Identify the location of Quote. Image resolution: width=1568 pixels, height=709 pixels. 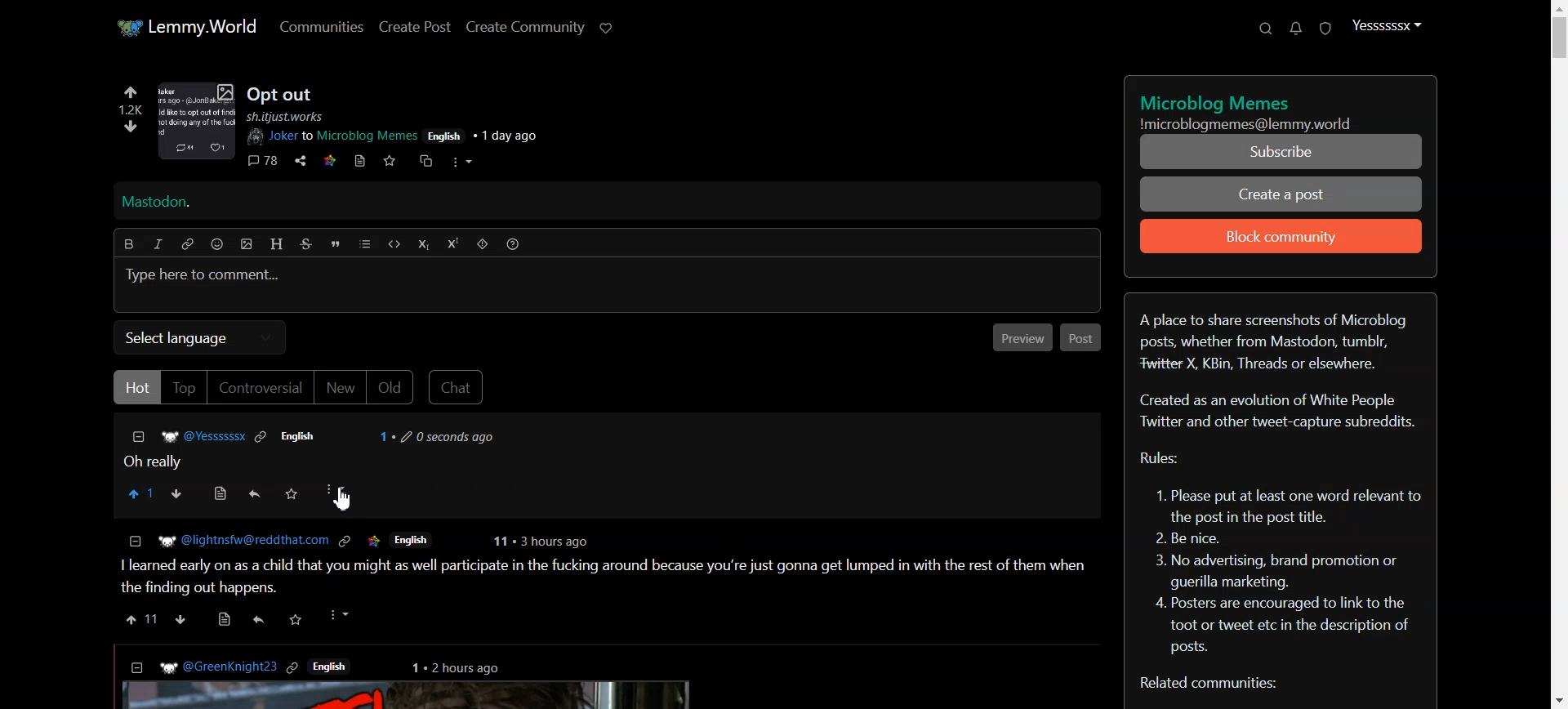
(336, 243).